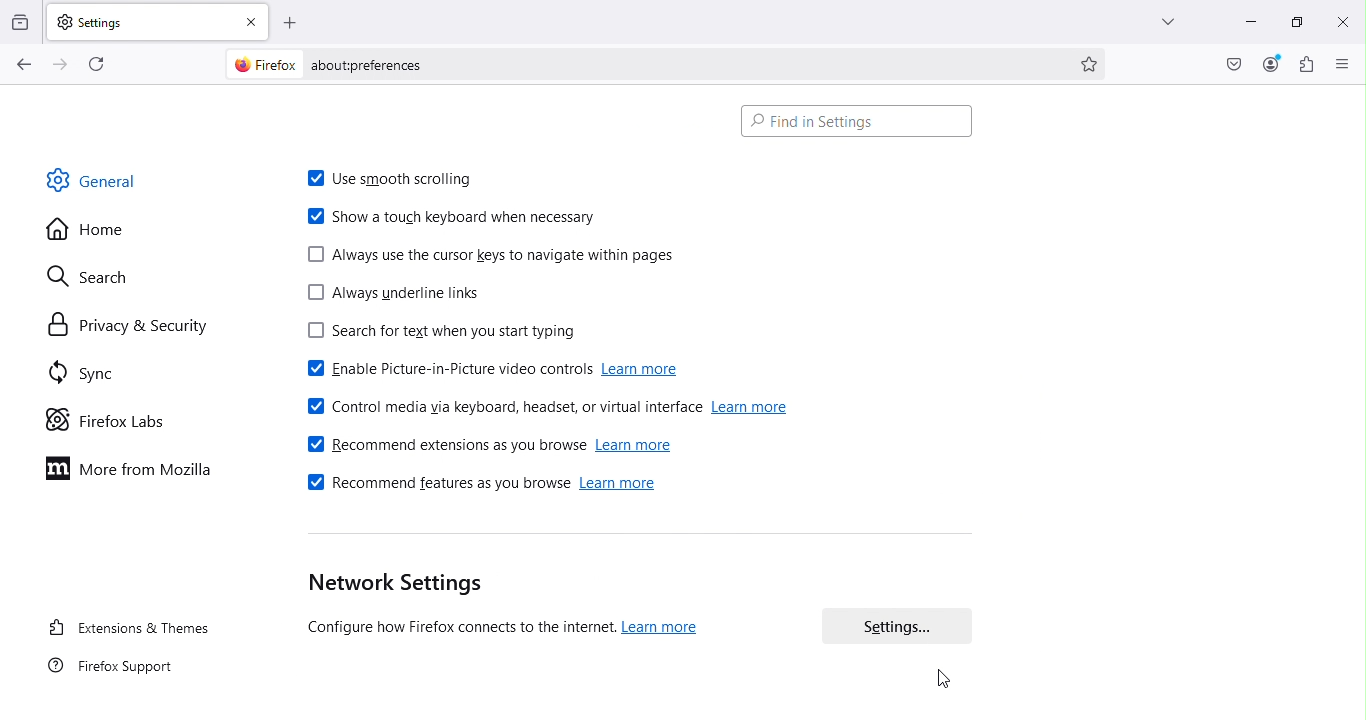 Image resolution: width=1366 pixels, height=720 pixels. I want to click on Extensions, so click(1304, 65).